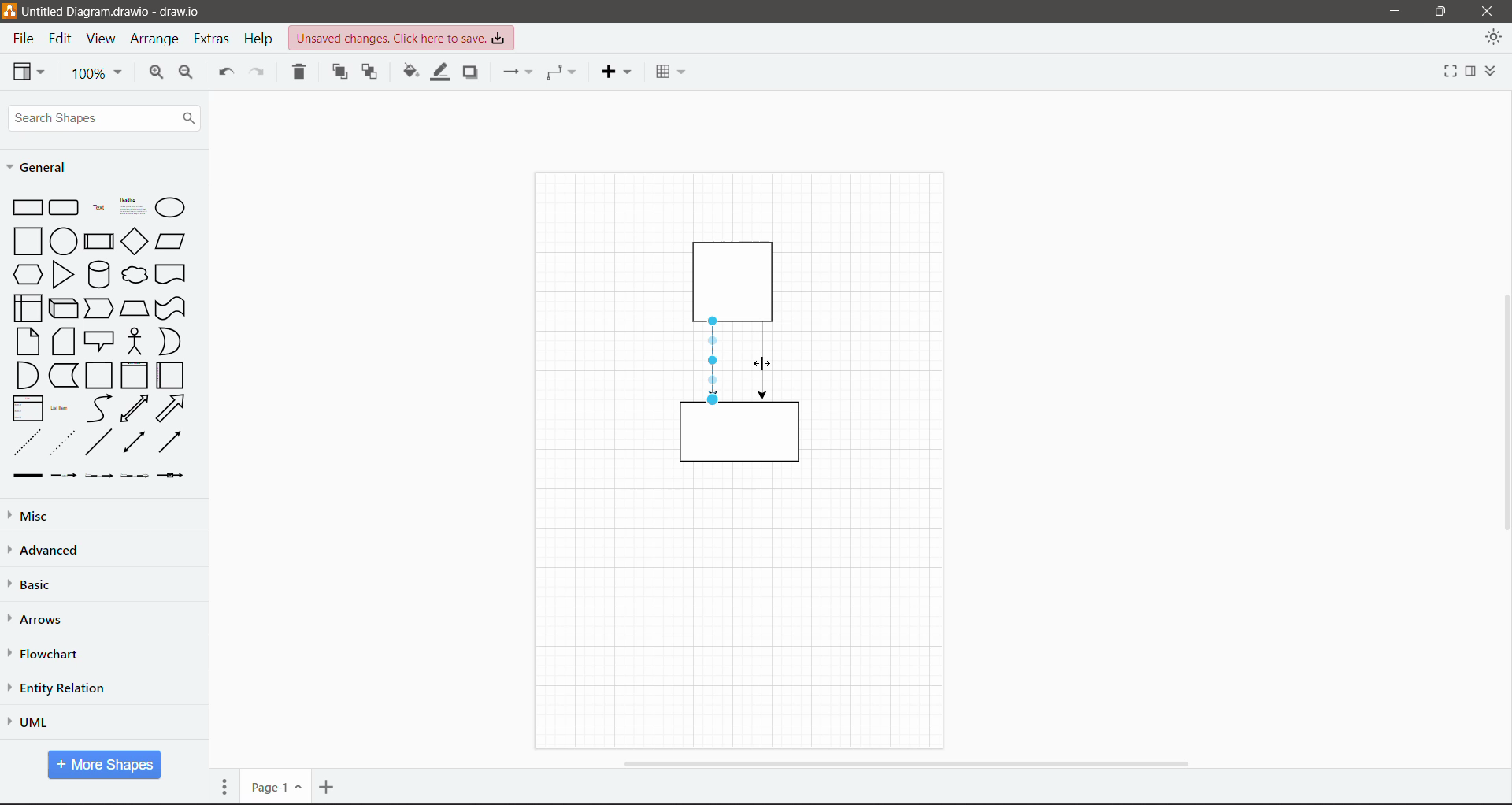  What do you see at coordinates (904, 763) in the screenshot?
I see `Horizontal Scroll Bar` at bounding box center [904, 763].